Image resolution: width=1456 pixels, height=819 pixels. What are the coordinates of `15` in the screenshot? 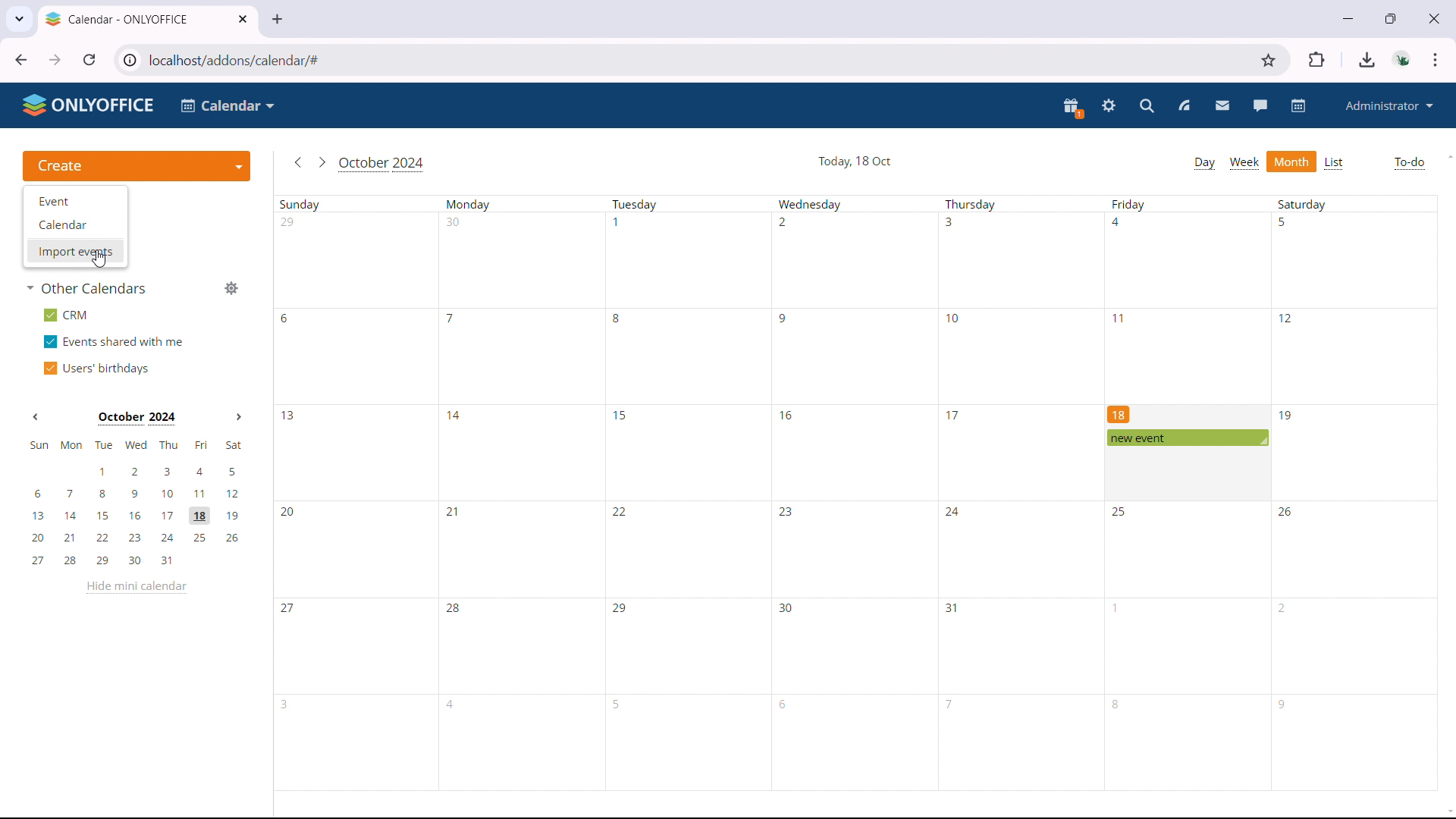 It's located at (621, 415).